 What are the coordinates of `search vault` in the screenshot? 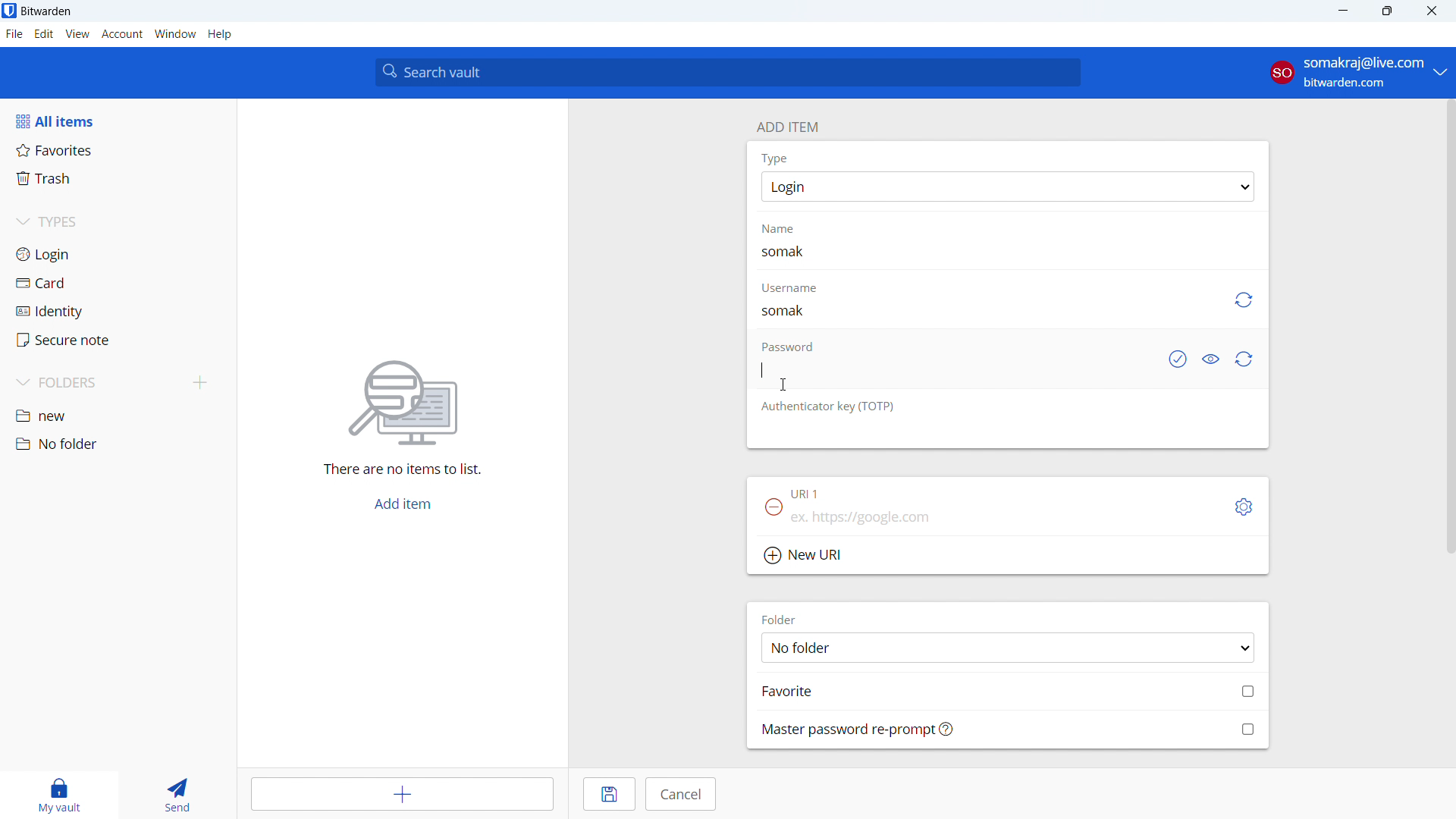 It's located at (727, 72).